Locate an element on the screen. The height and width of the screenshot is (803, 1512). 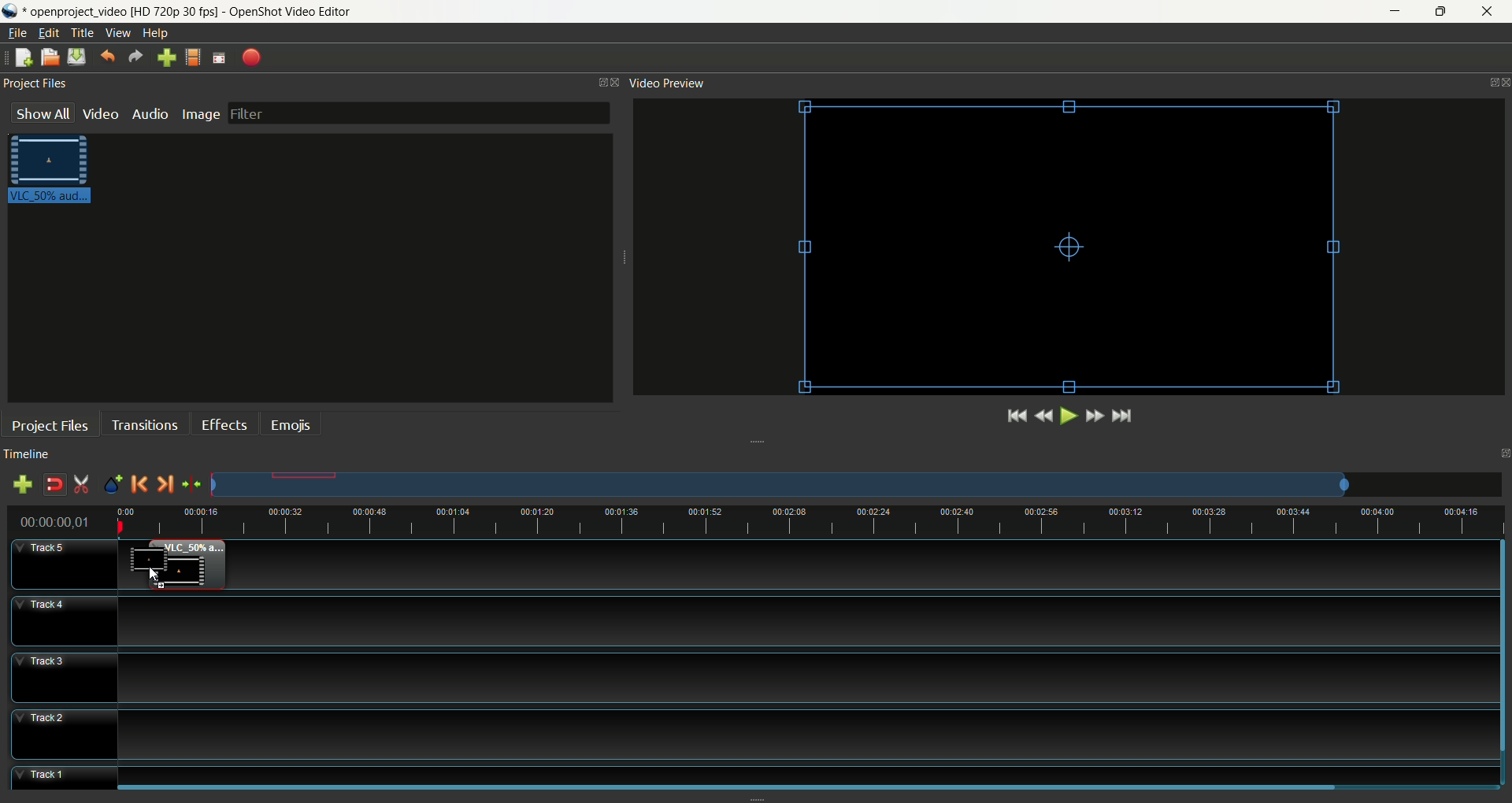
undo is located at coordinates (106, 56).